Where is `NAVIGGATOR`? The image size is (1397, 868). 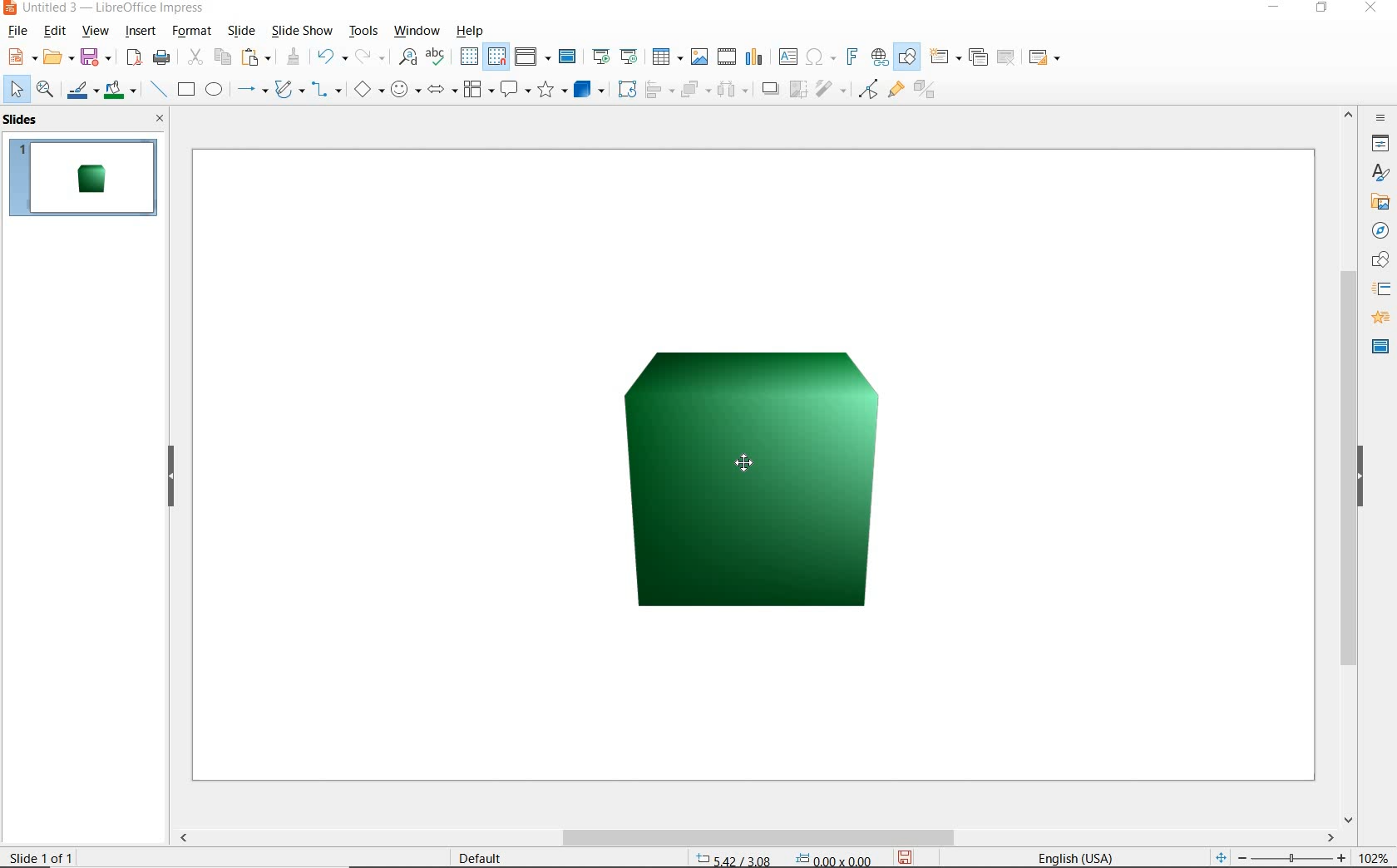
NAVIGGATOR is located at coordinates (1381, 231).